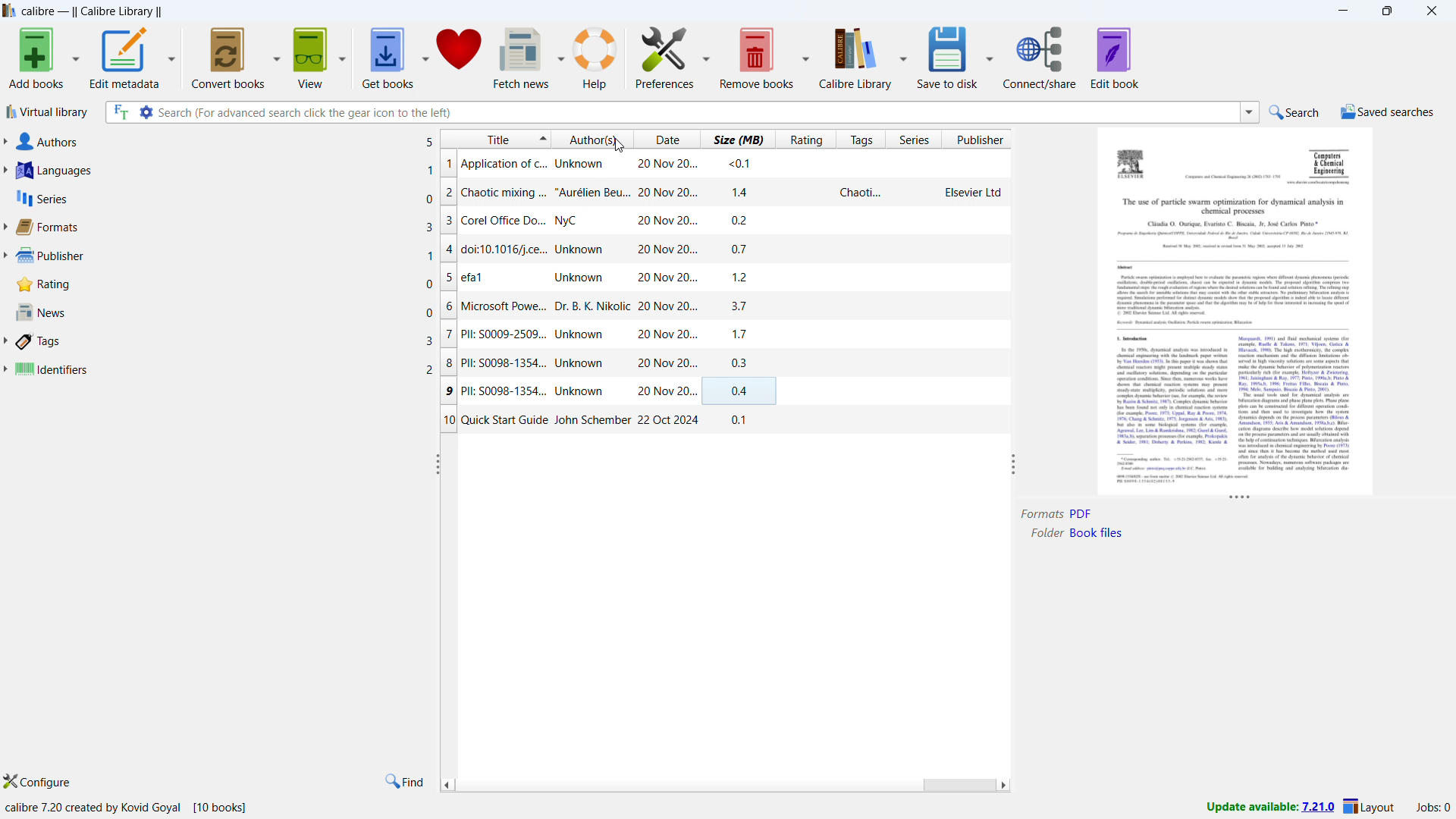 This screenshot has height=819, width=1456. I want to click on fetch news, so click(521, 57).